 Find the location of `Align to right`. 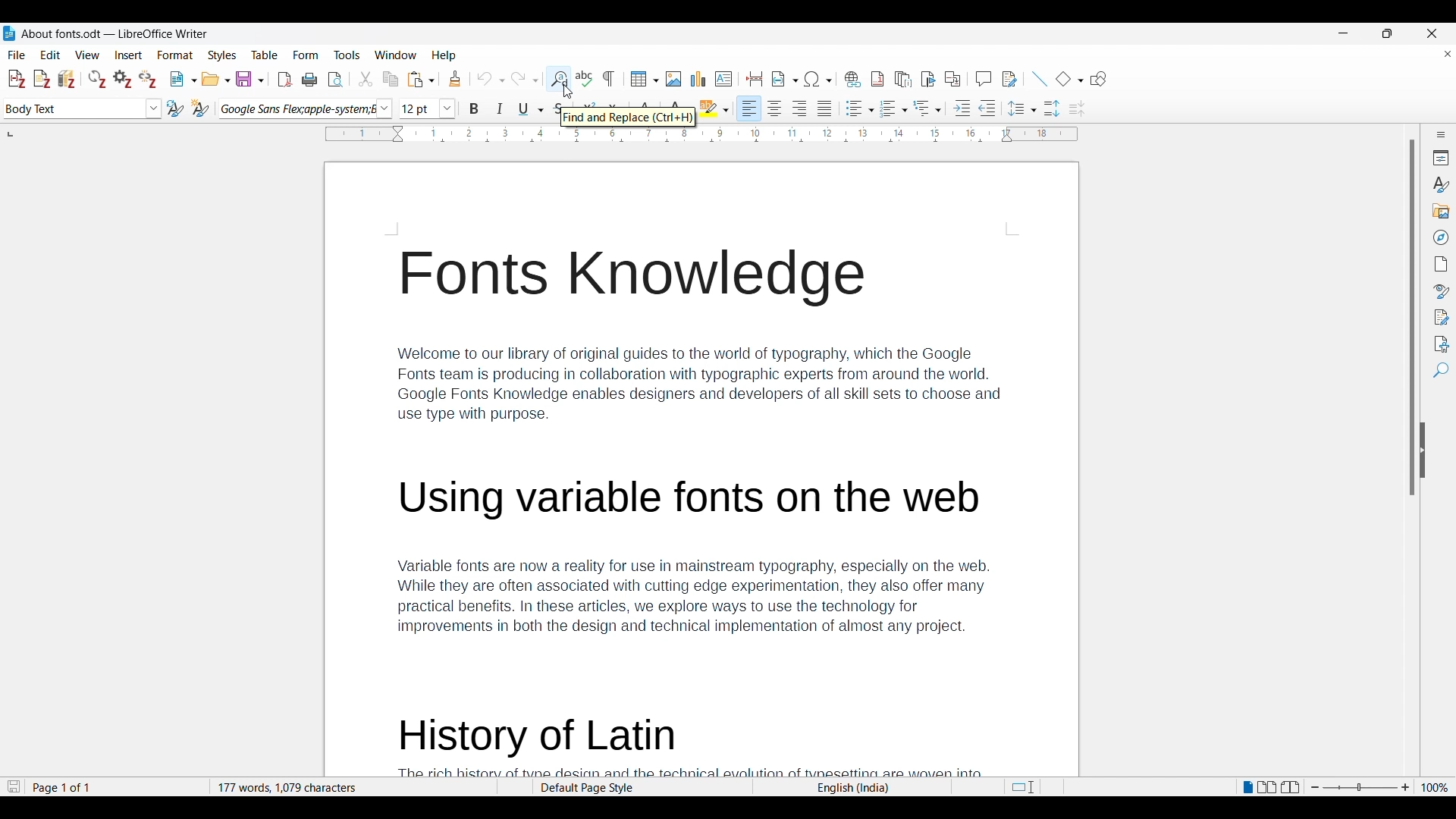

Align to right is located at coordinates (800, 108).